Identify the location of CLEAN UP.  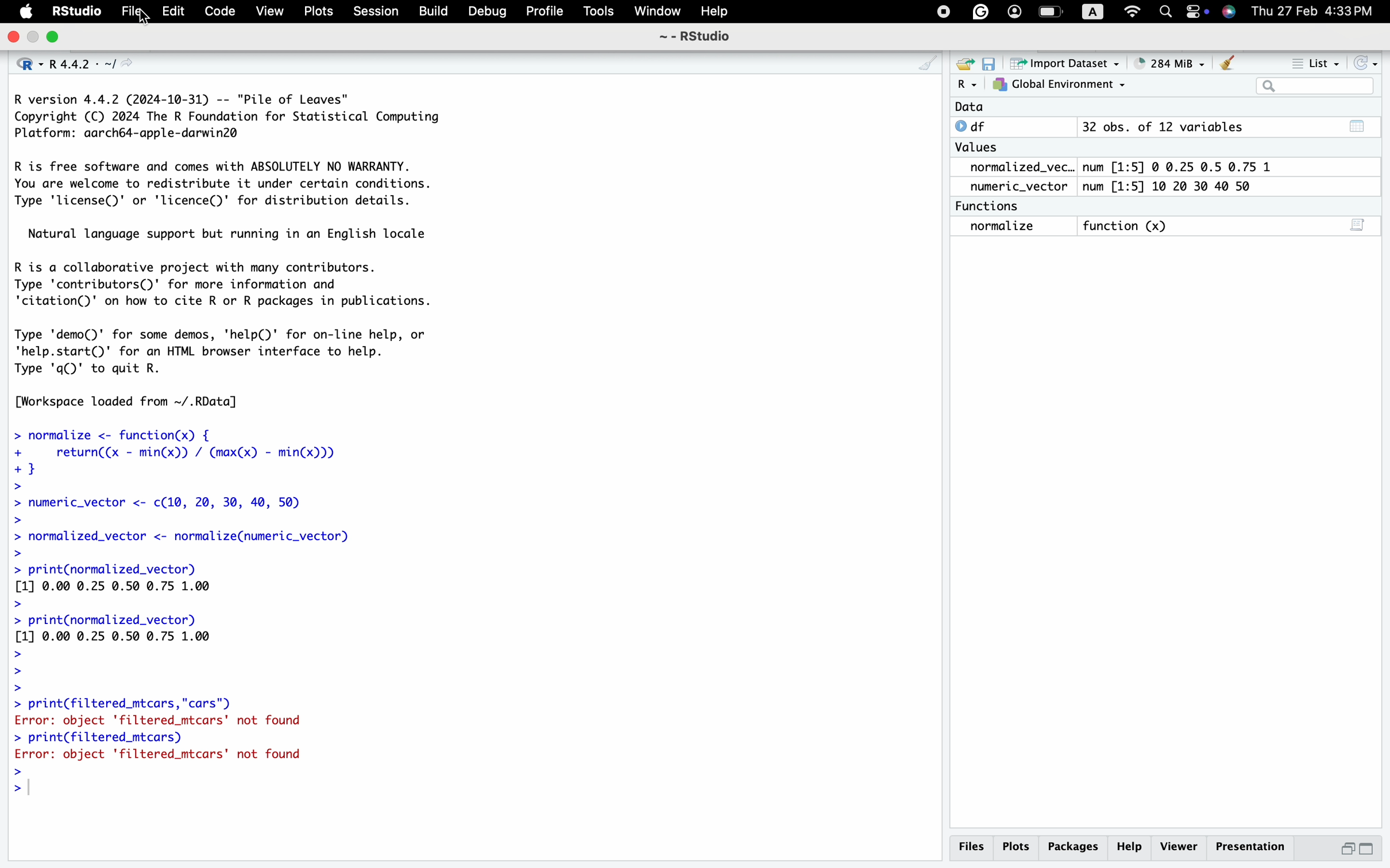
(914, 64).